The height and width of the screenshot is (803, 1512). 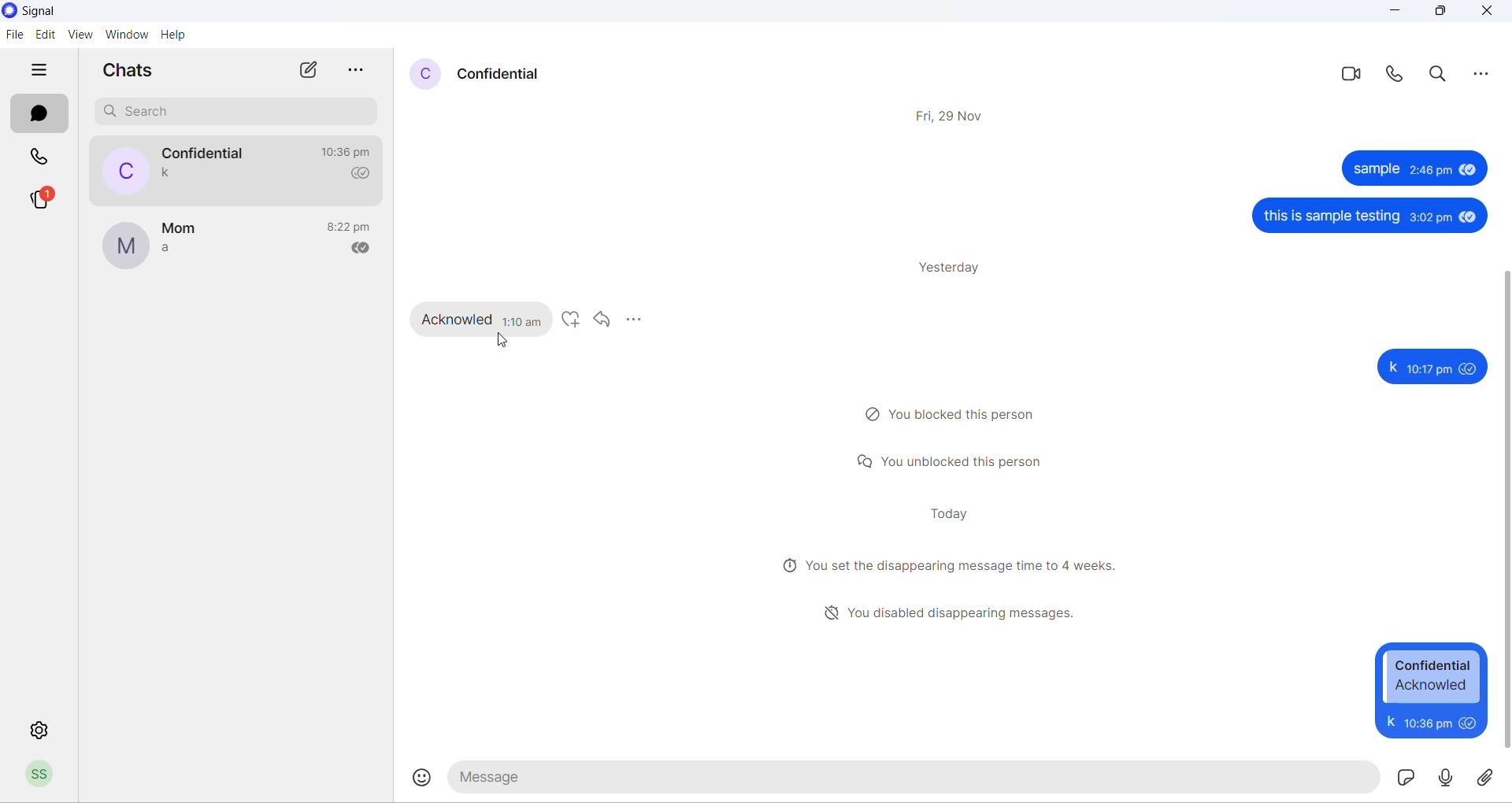 I want to click on search chats, so click(x=243, y=112).